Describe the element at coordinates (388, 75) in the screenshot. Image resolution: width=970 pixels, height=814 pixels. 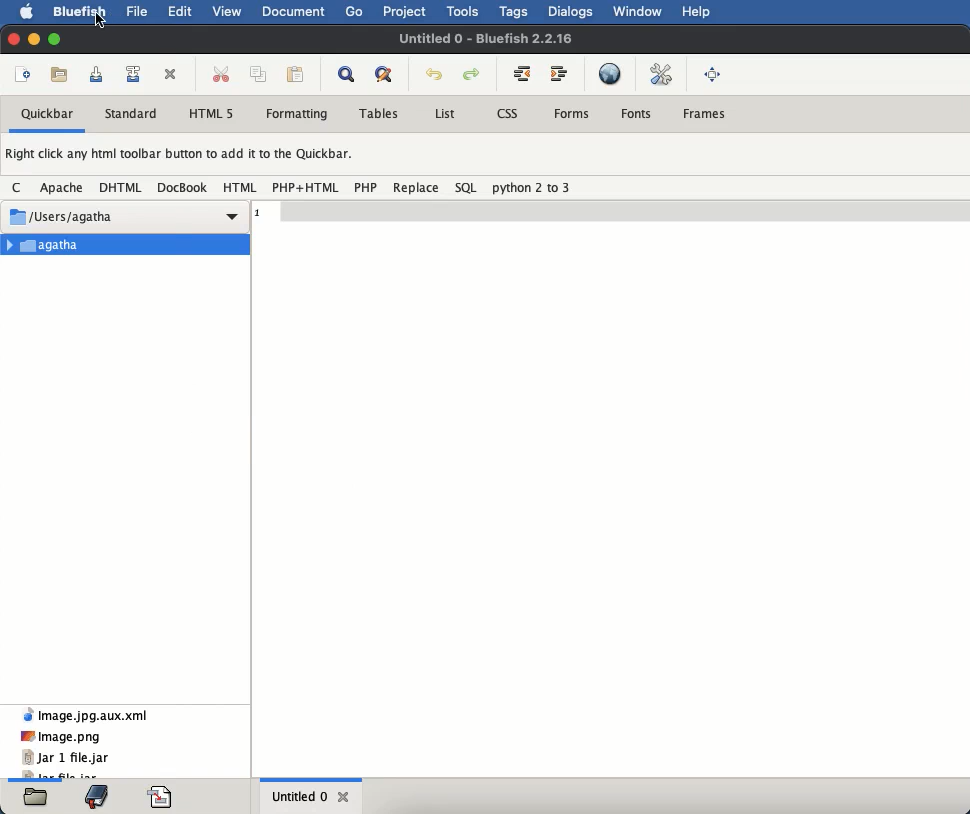
I see `advanced find and replace` at that location.